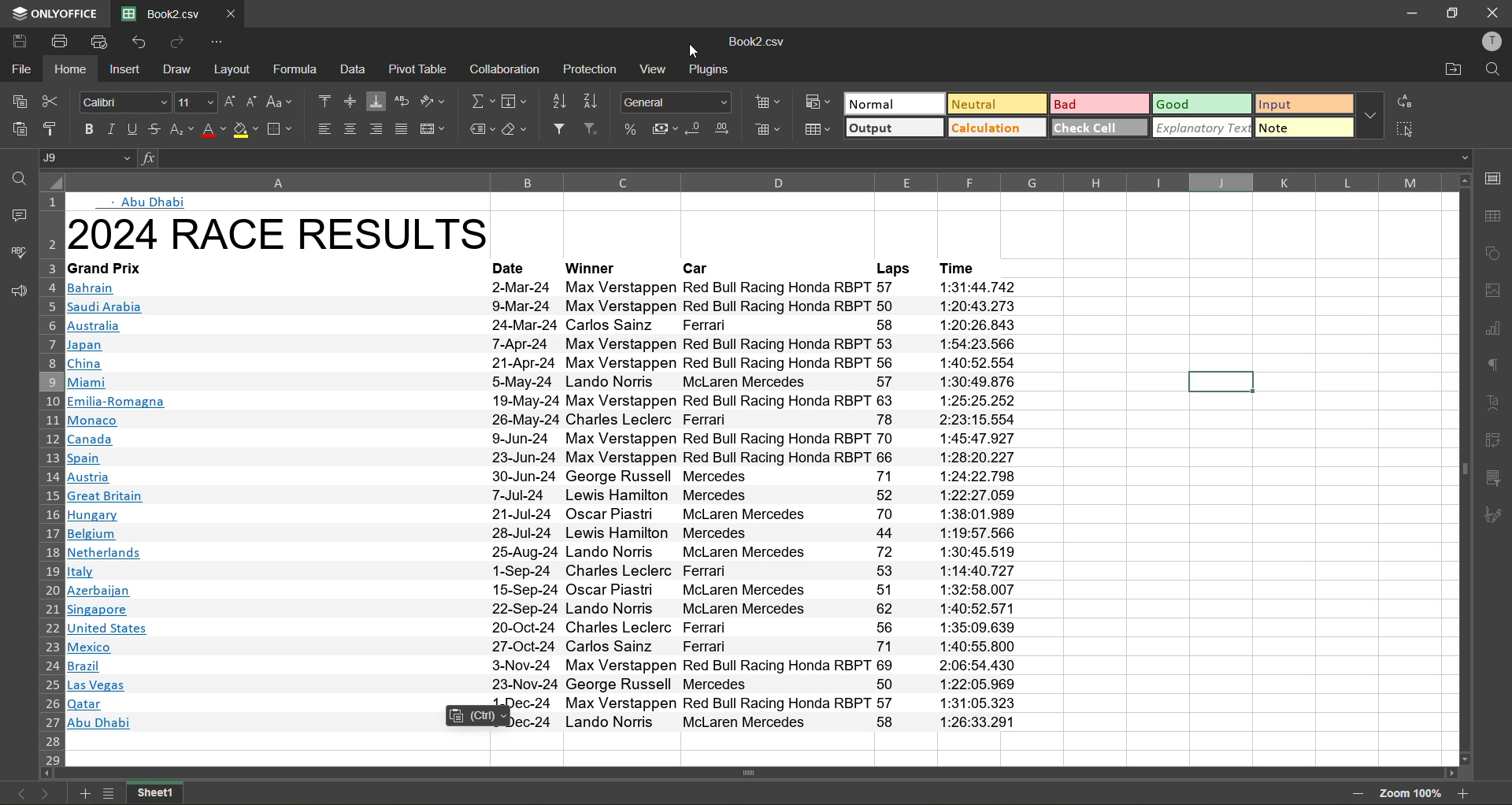 The width and height of the screenshot is (1512, 805). I want to click on laps, so click(898, 267).